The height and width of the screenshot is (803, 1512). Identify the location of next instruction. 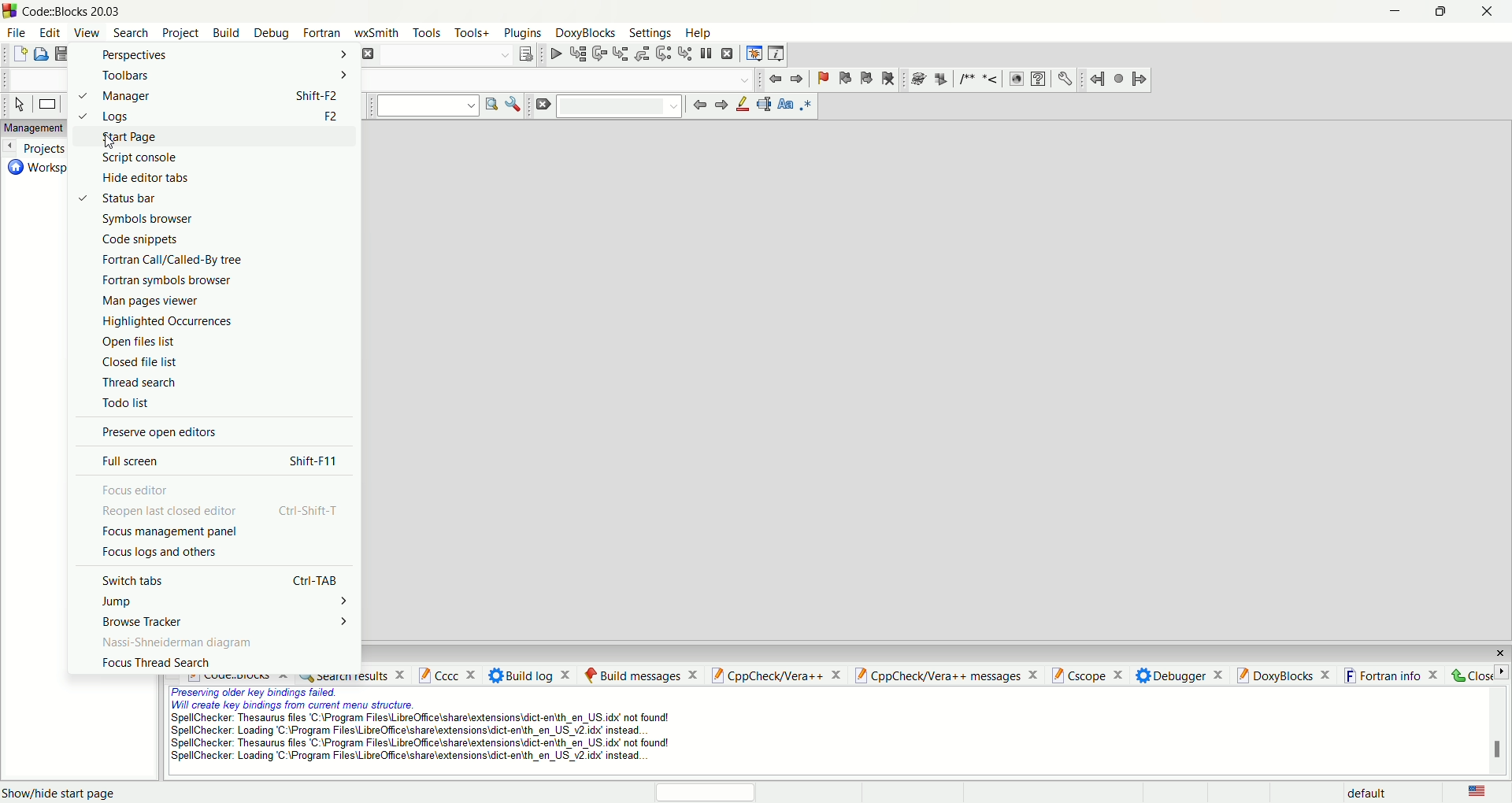
(664, 55).